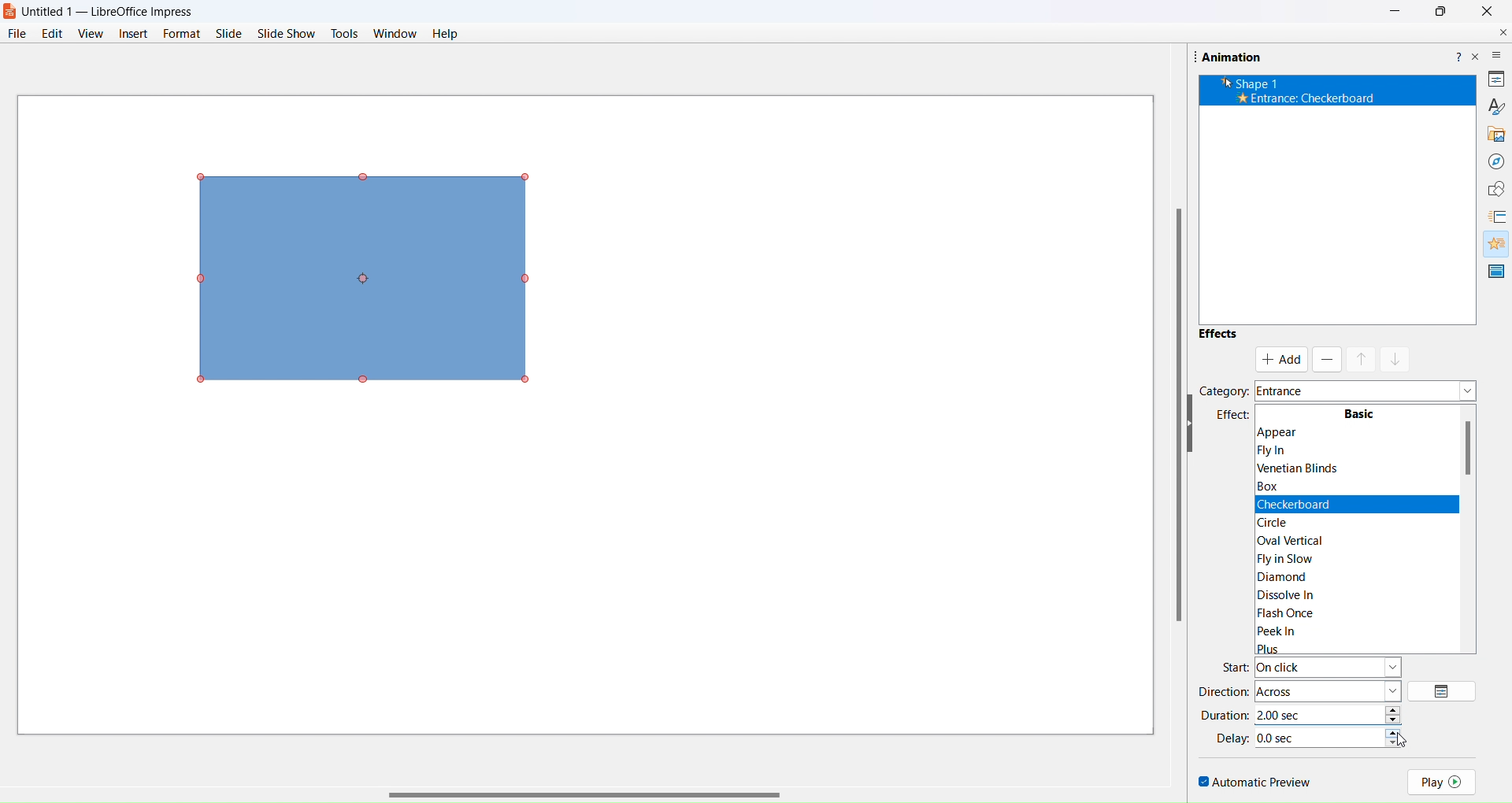  What do you see at coordinates (1167, 419) in the screenshot?
I see `scroll bar` at bounding box center [1167, 419].